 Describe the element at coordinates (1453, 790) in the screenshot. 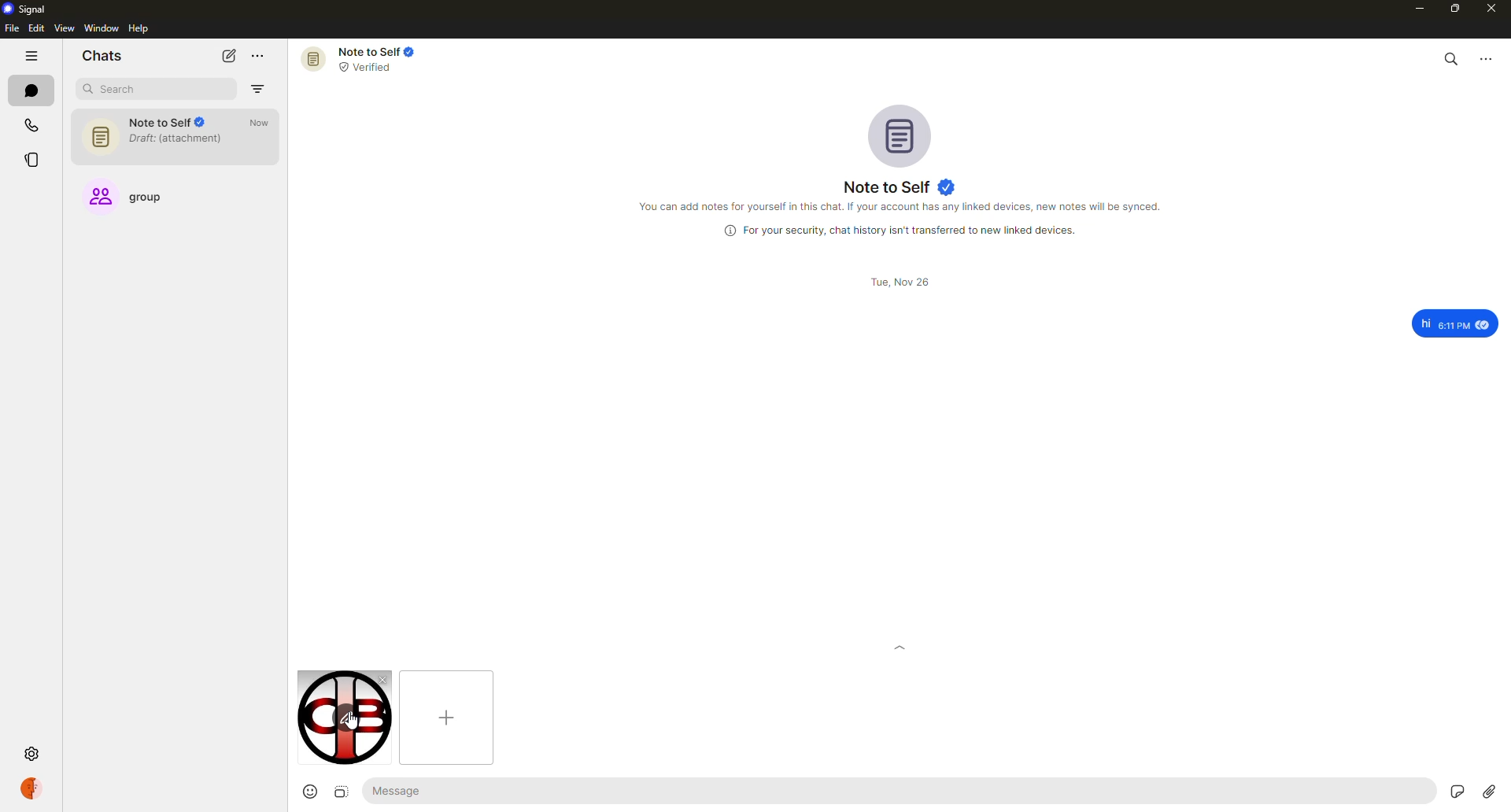

I see `stickers` at that location.